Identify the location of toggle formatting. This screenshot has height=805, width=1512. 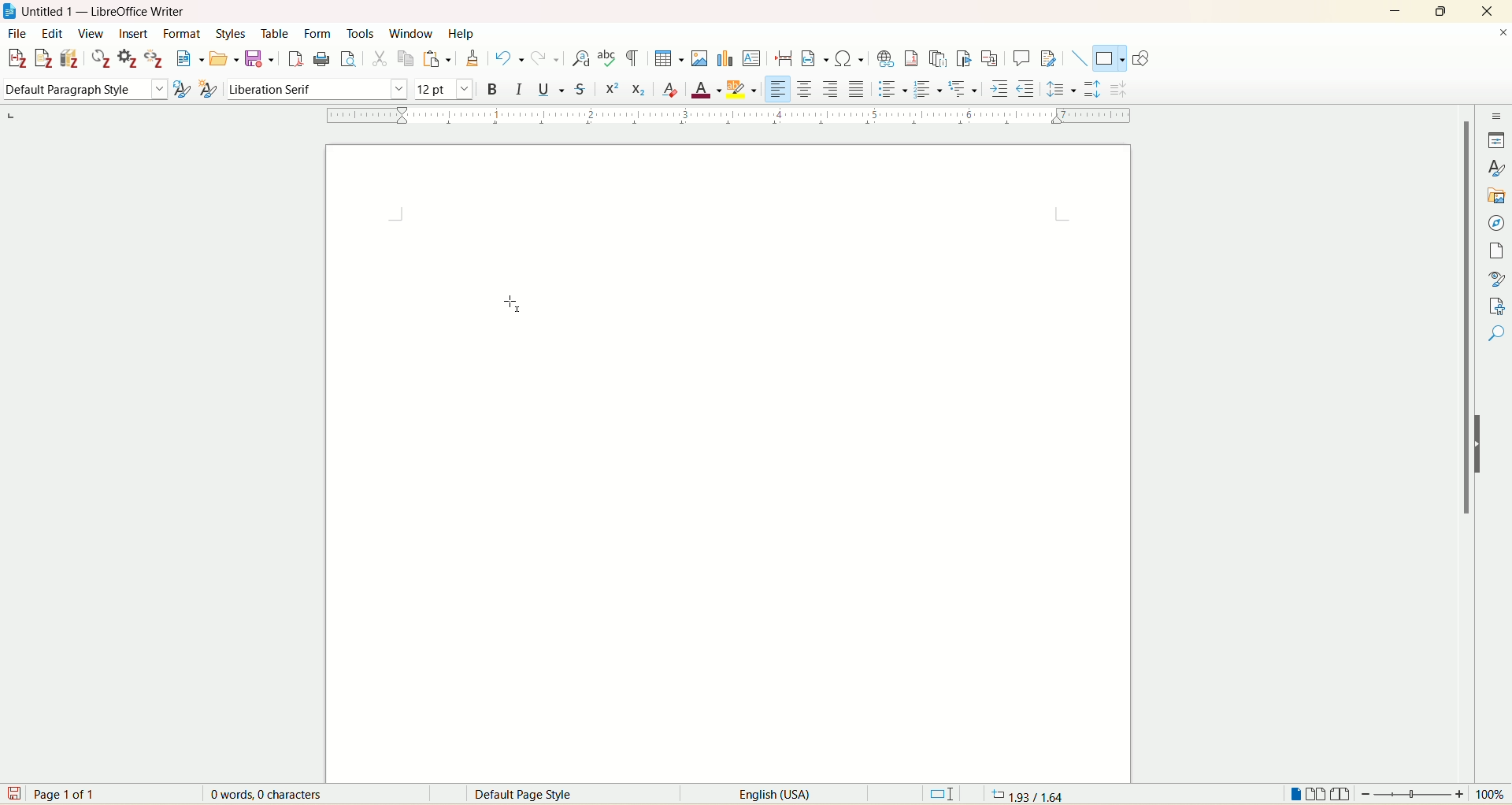
(632, 59).